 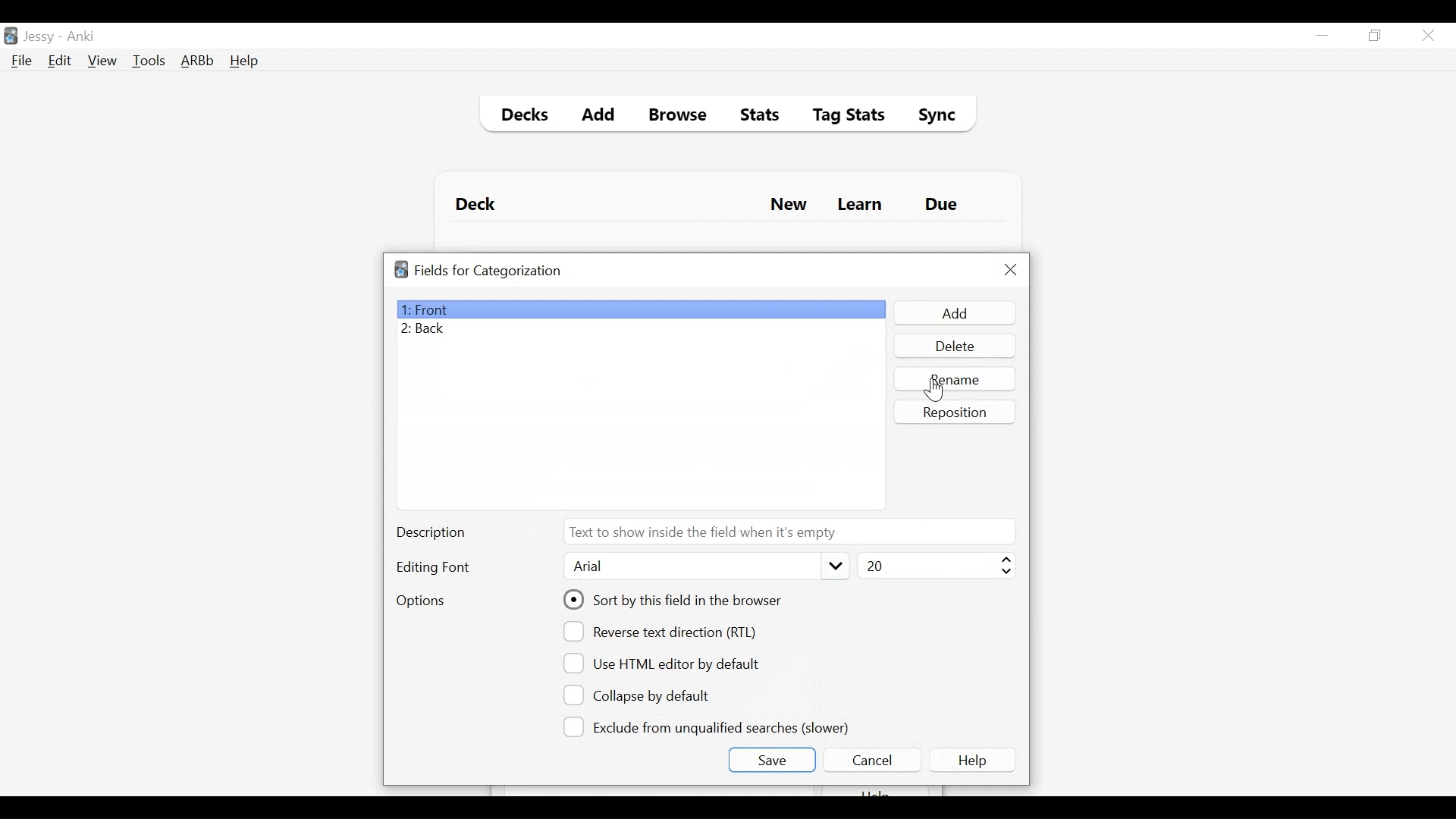 I want to click on Add, so click(x=953, y=313).